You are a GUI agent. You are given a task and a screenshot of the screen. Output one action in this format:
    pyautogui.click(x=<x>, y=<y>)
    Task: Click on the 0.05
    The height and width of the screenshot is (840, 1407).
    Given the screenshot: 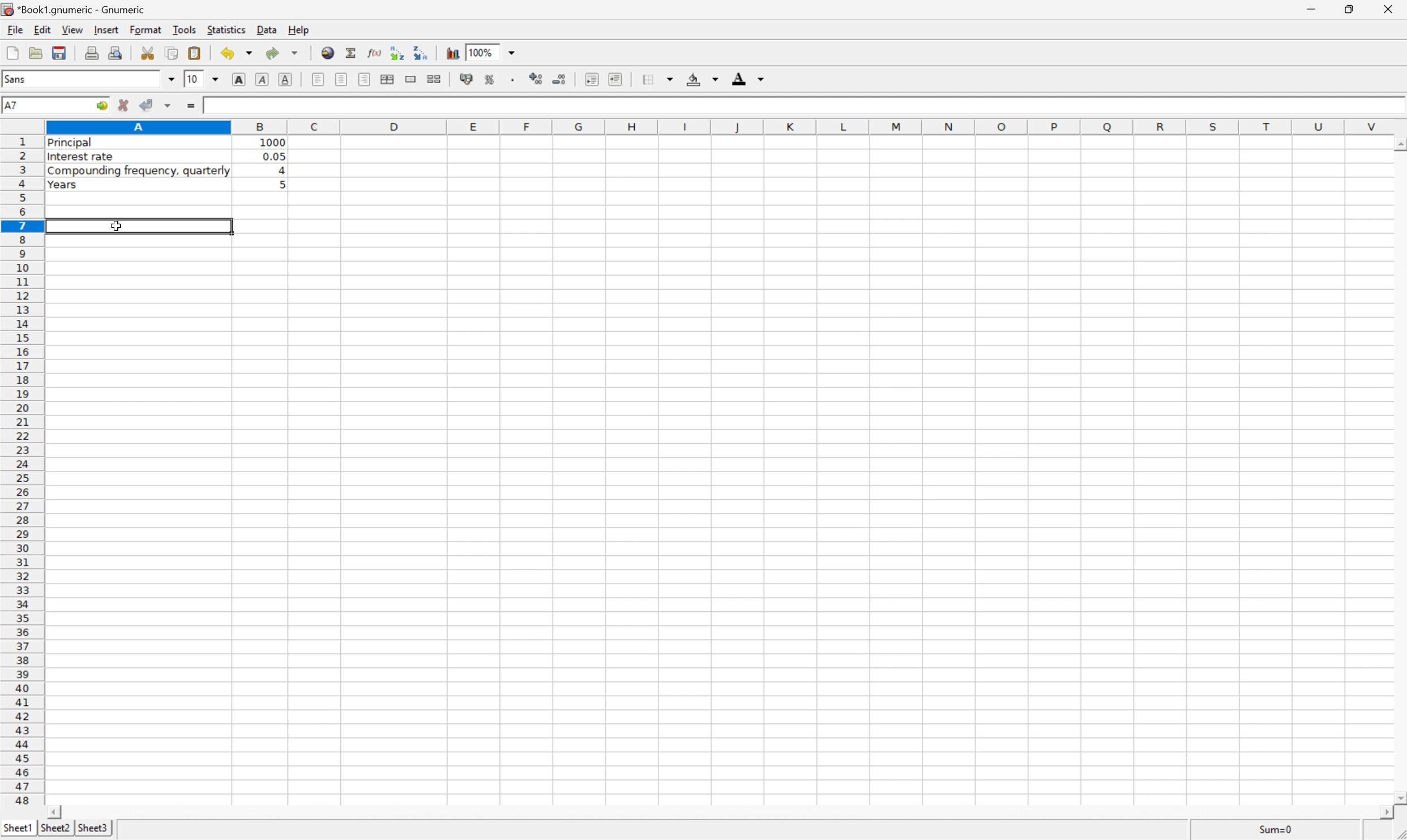 What is the action you would take?
    pyautogui.click(x=275, y=156)
    